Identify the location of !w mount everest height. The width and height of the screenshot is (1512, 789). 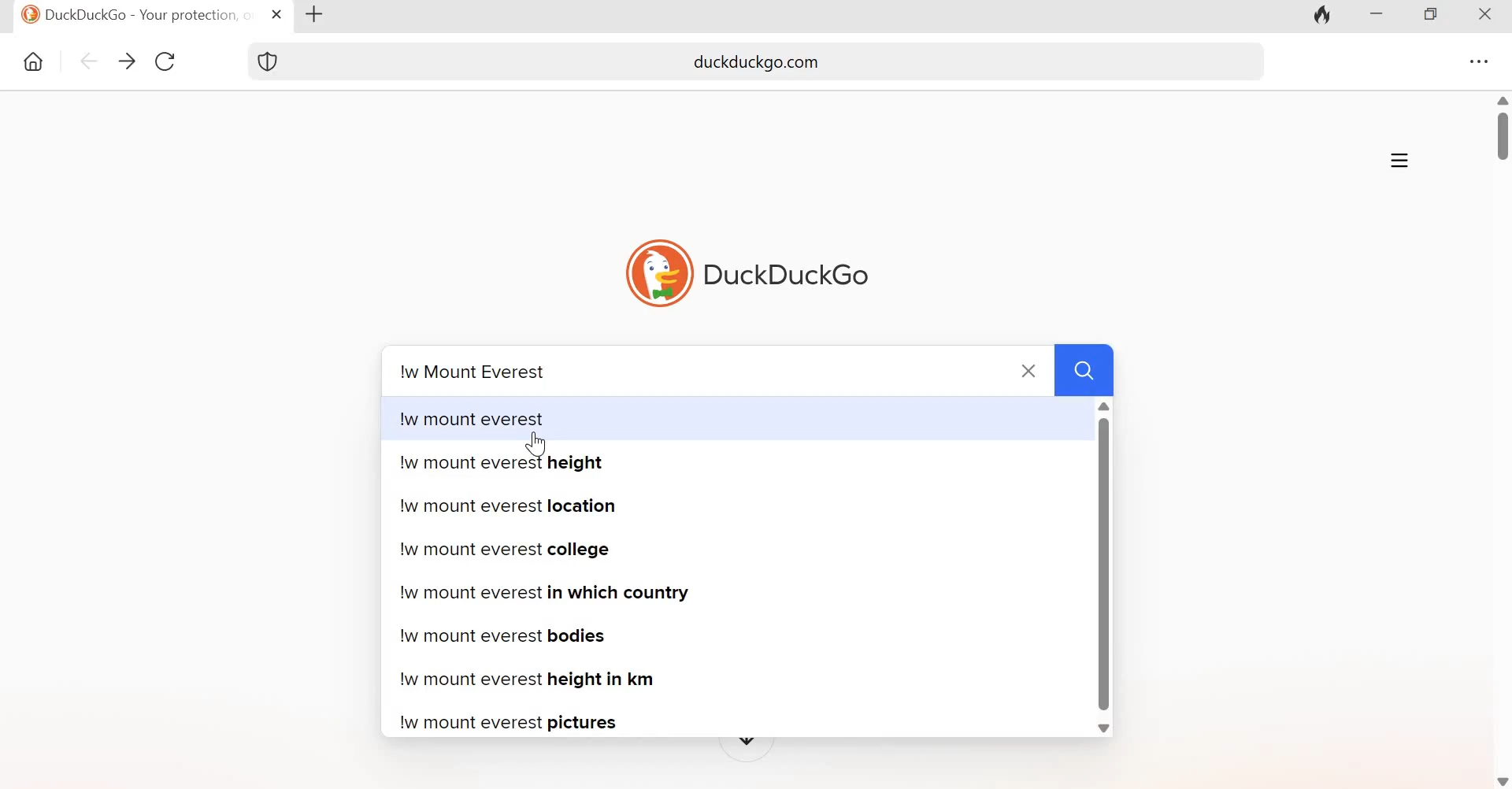
(508, 469).